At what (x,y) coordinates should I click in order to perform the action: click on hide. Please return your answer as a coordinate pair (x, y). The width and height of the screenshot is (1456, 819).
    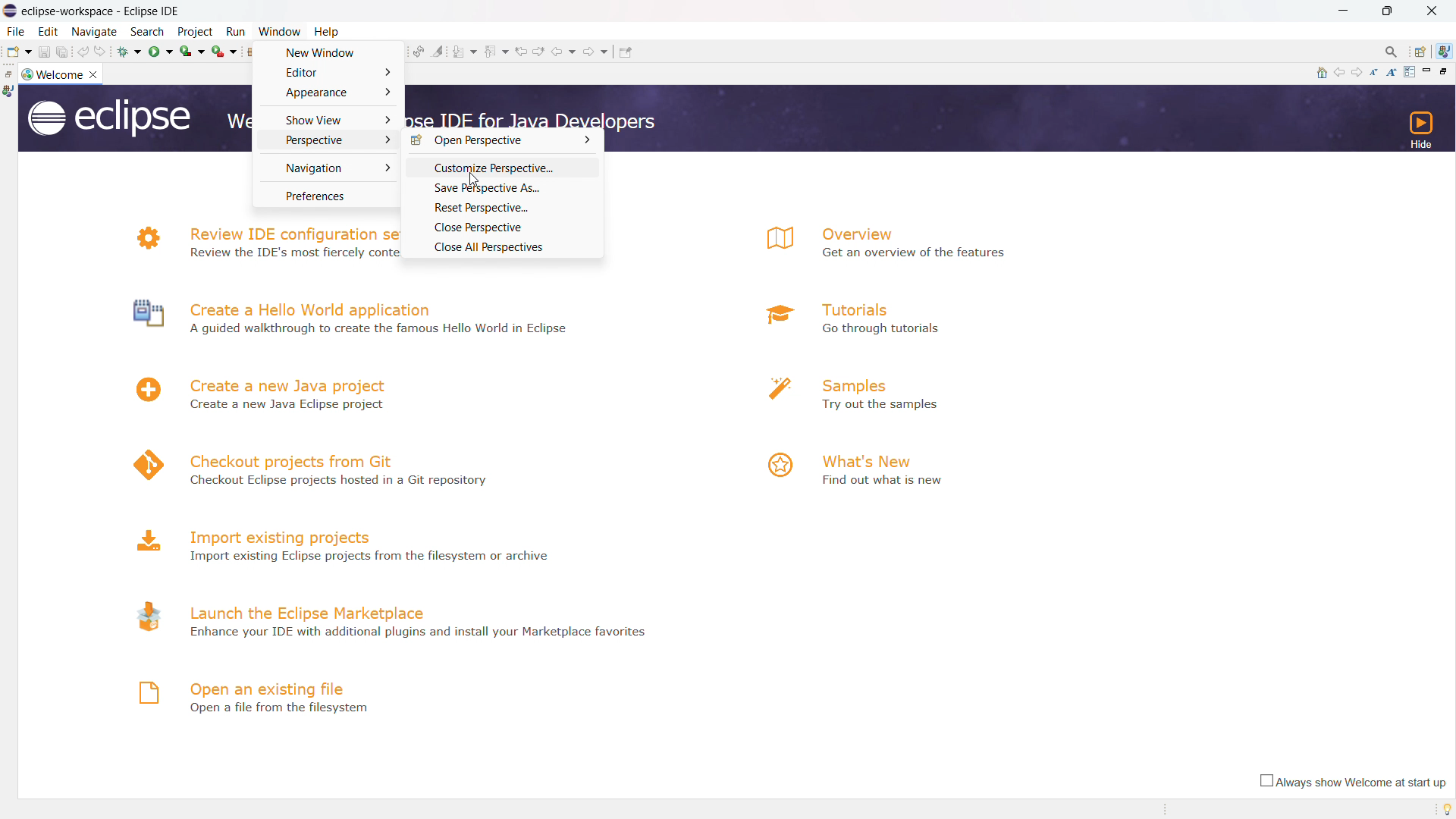
    Looking at the image, I should click on (1419, 129).